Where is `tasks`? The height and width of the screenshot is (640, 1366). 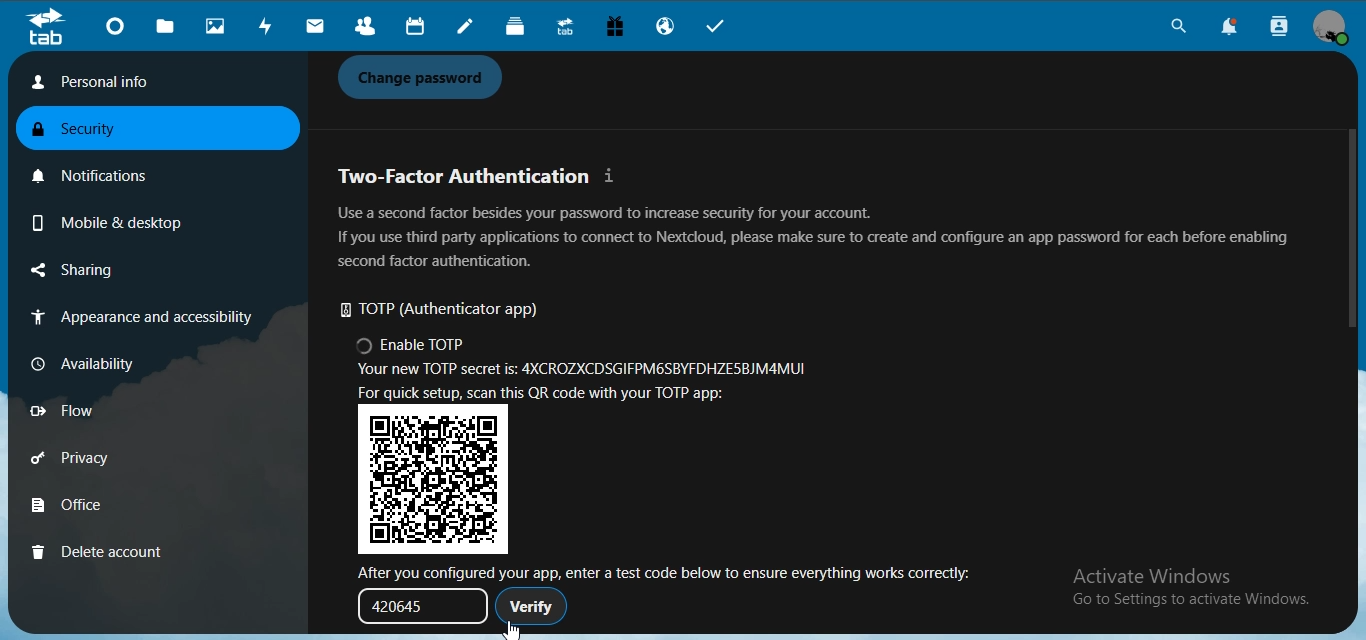
tasks is located at coordinates (723, 28).